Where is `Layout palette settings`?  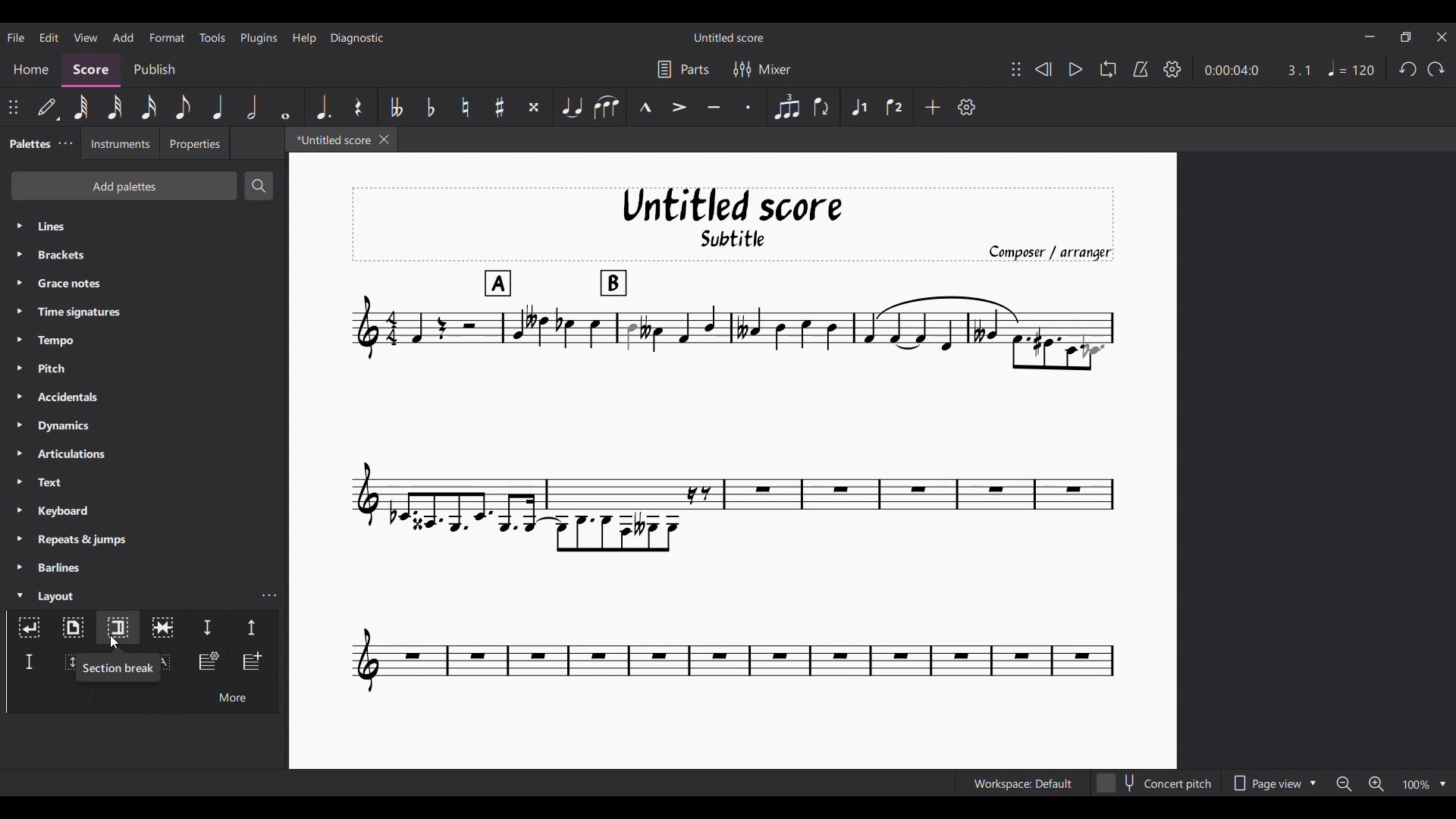
Layout palette settings is located at coordinates (269, 595).